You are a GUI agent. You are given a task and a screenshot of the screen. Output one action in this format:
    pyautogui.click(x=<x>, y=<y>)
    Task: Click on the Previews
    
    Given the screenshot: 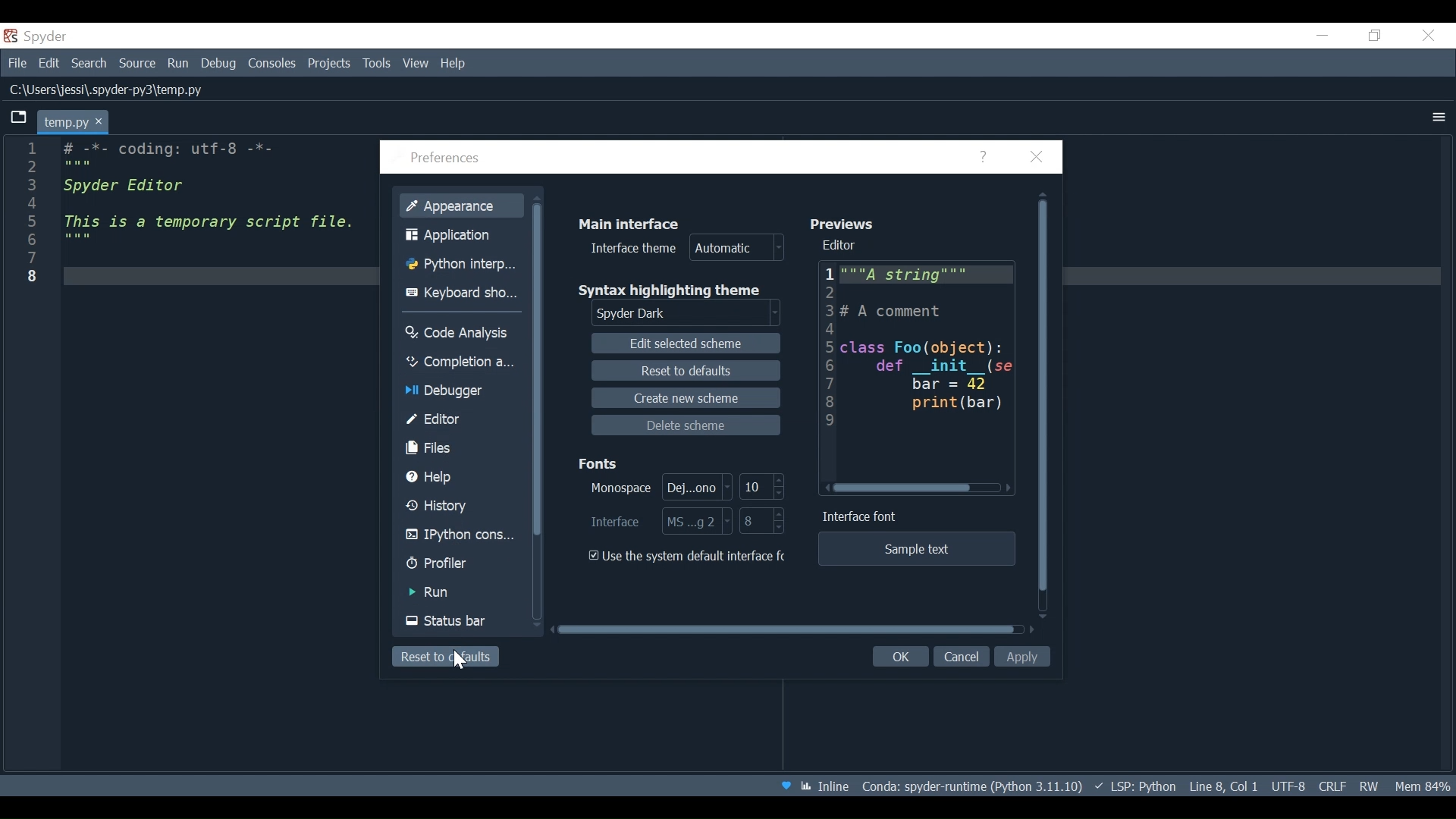 What is the action you would take?
    pyautogui.click(x=847, y=223)
    